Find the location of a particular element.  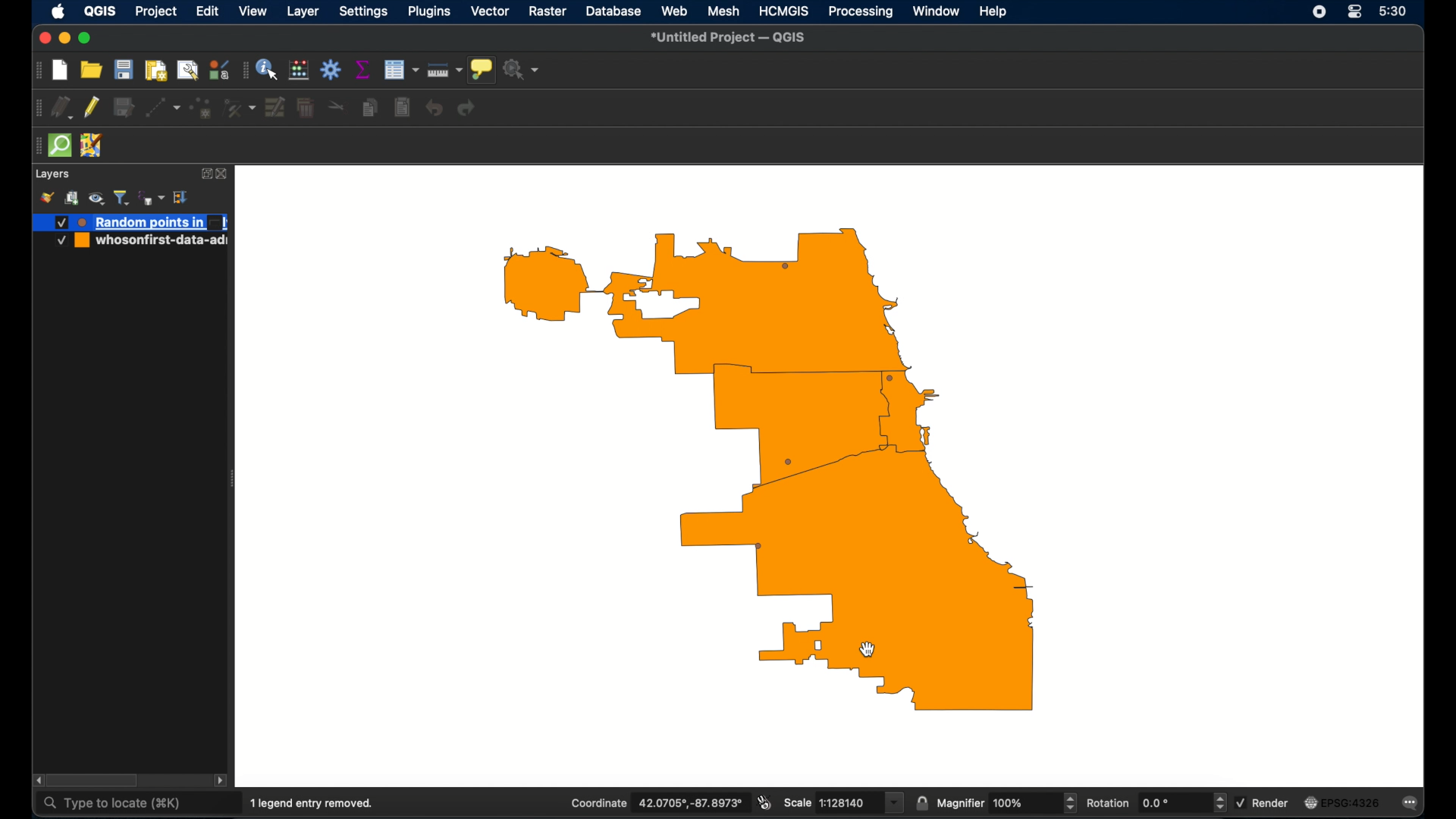

open attribute table is located at coordinates (400, 70).